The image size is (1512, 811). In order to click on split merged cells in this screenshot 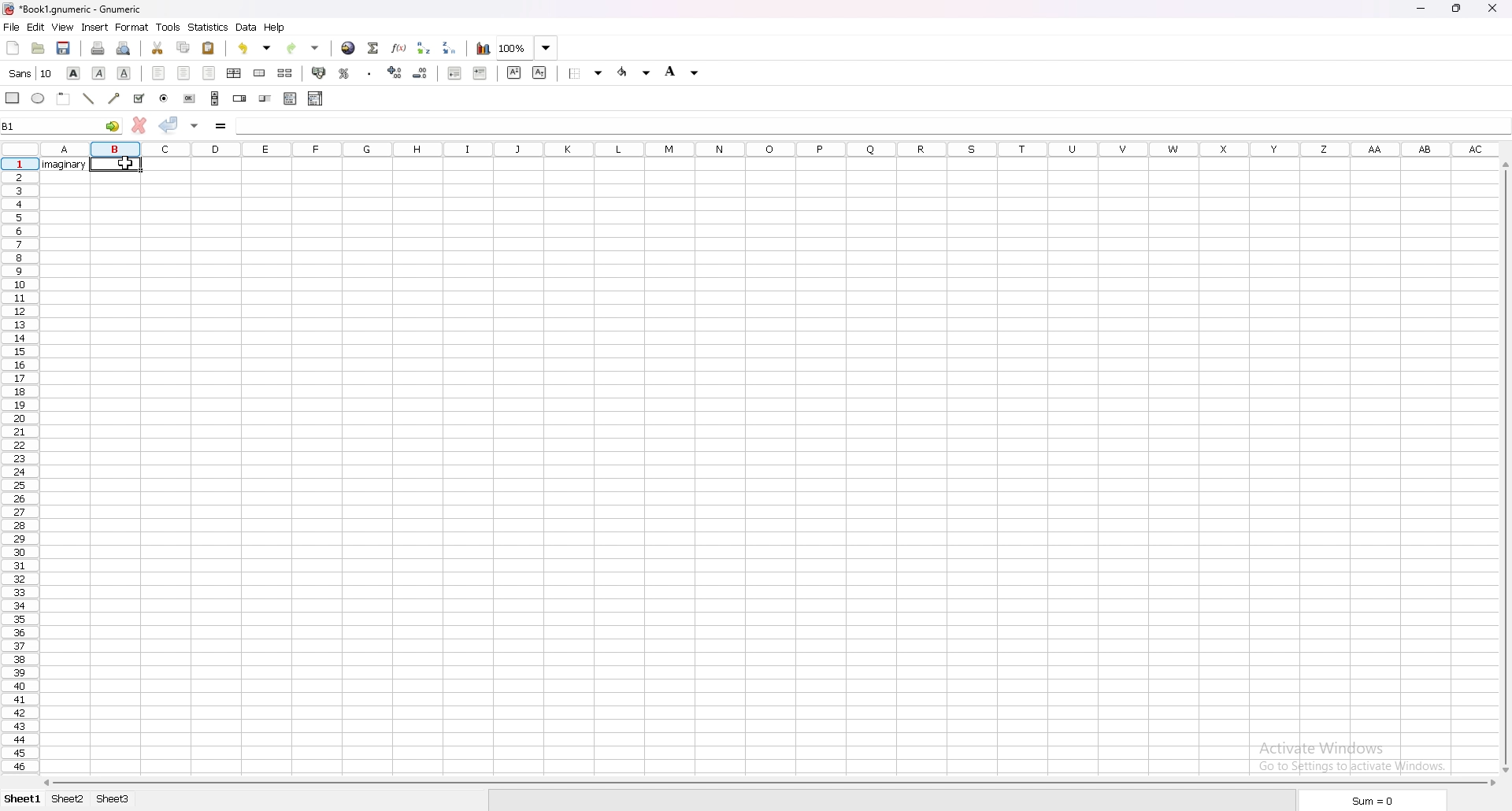, I will do `click(285, 72)`.